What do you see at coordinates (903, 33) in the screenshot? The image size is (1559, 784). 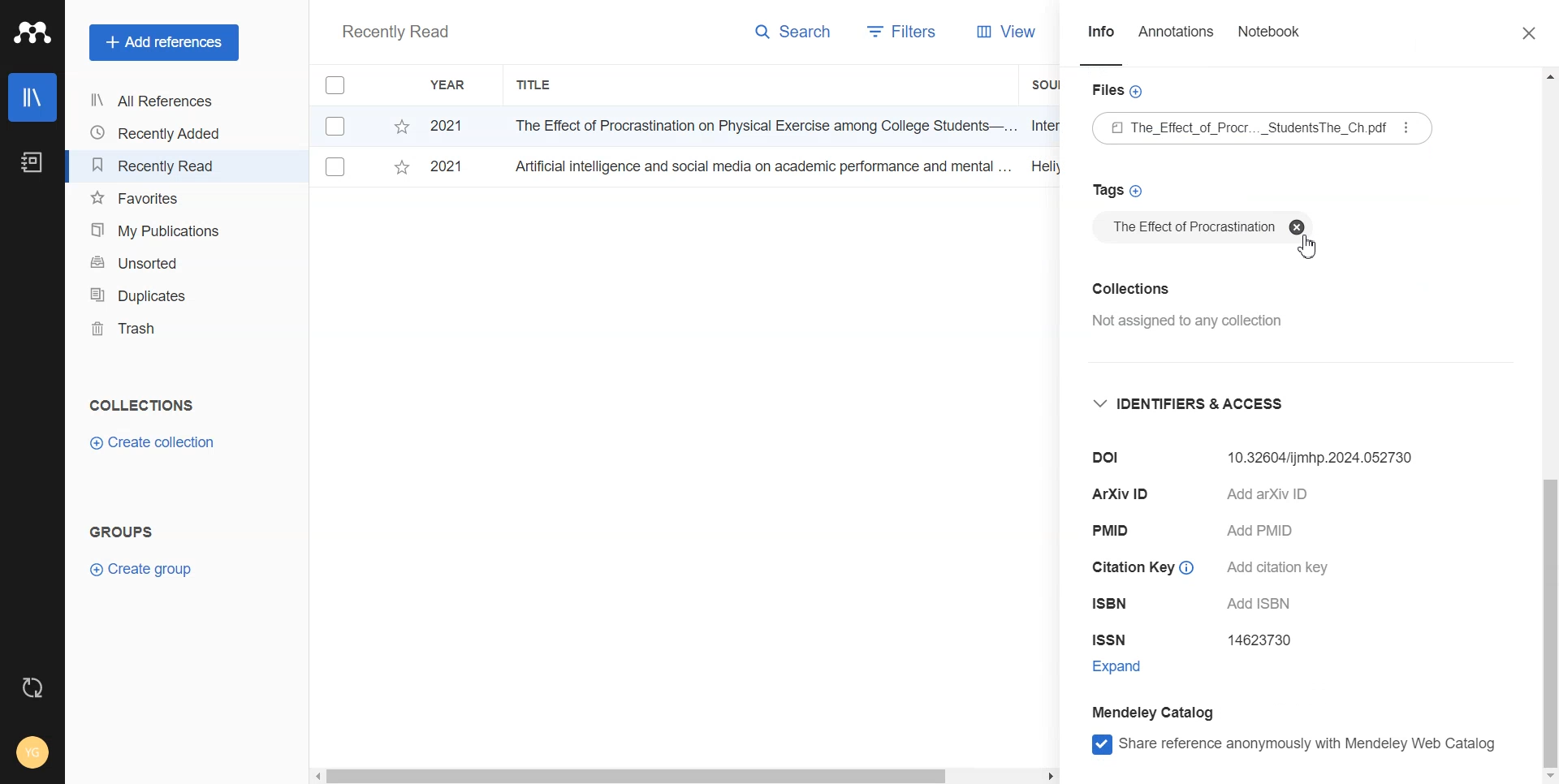 I see `Filters` at bounding box center [903, 33].